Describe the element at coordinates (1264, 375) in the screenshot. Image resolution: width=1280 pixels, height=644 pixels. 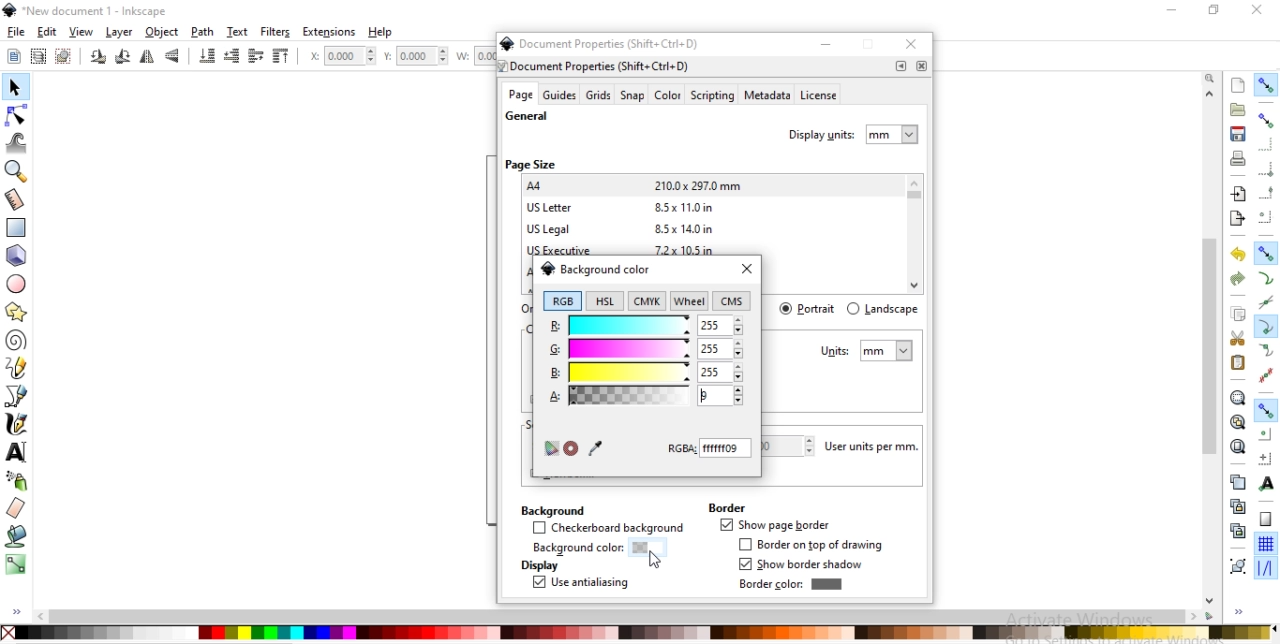
I see `snap midpoints of line segments` at that location.